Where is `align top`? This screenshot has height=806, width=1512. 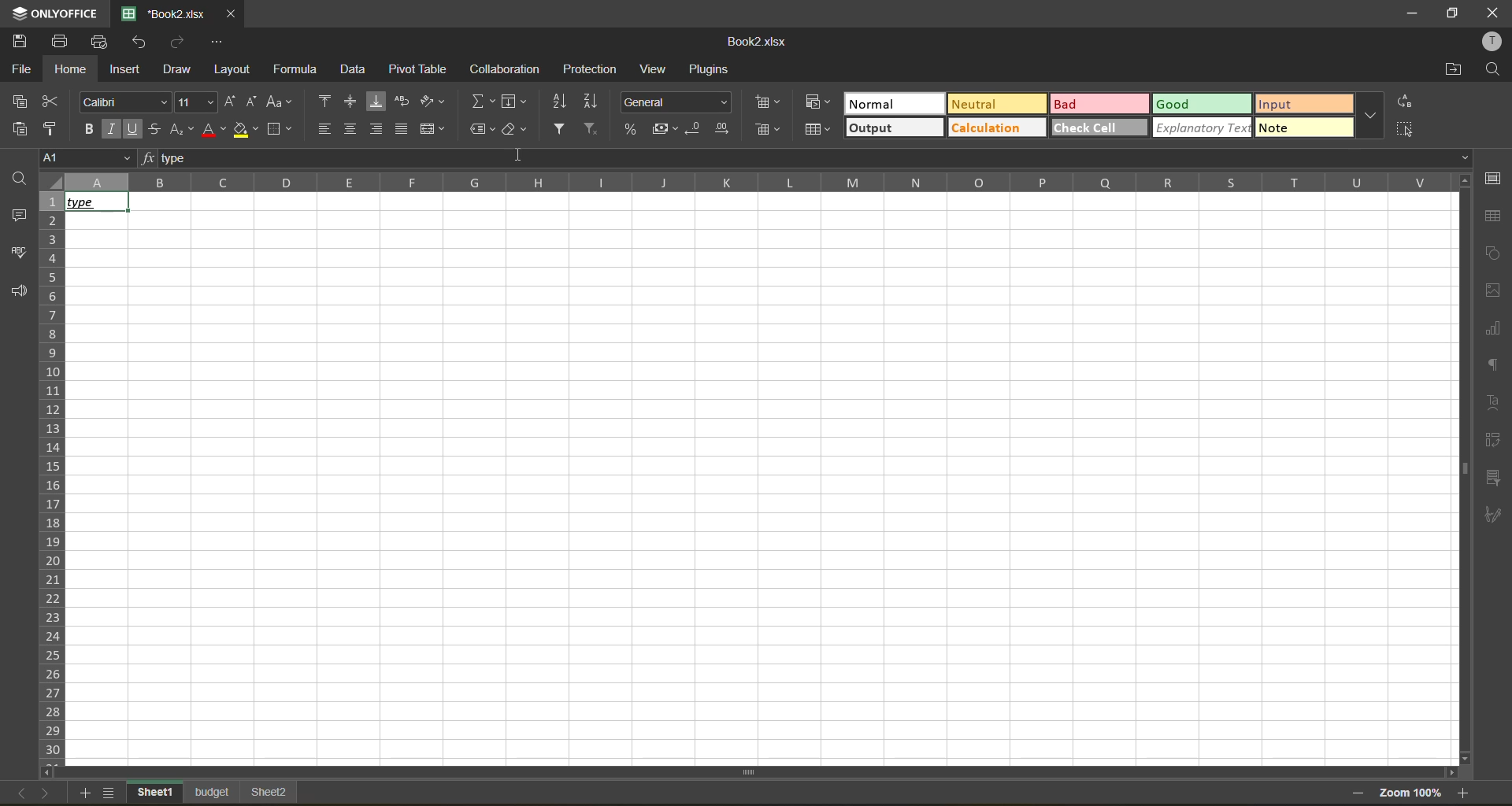
align top is located at coordinates (324, 101).